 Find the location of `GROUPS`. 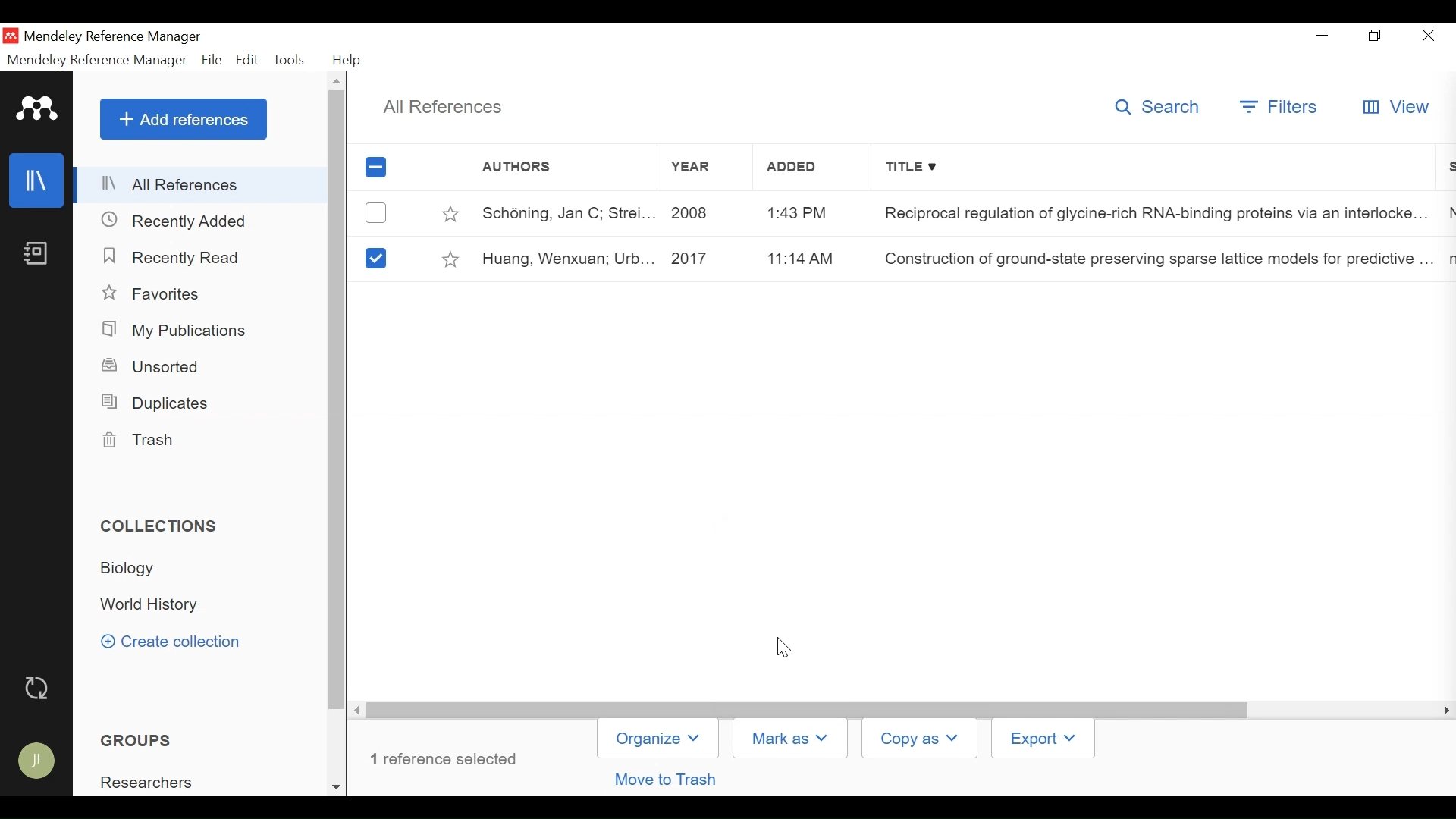

GROUPS is located at coordinates (144, 741).